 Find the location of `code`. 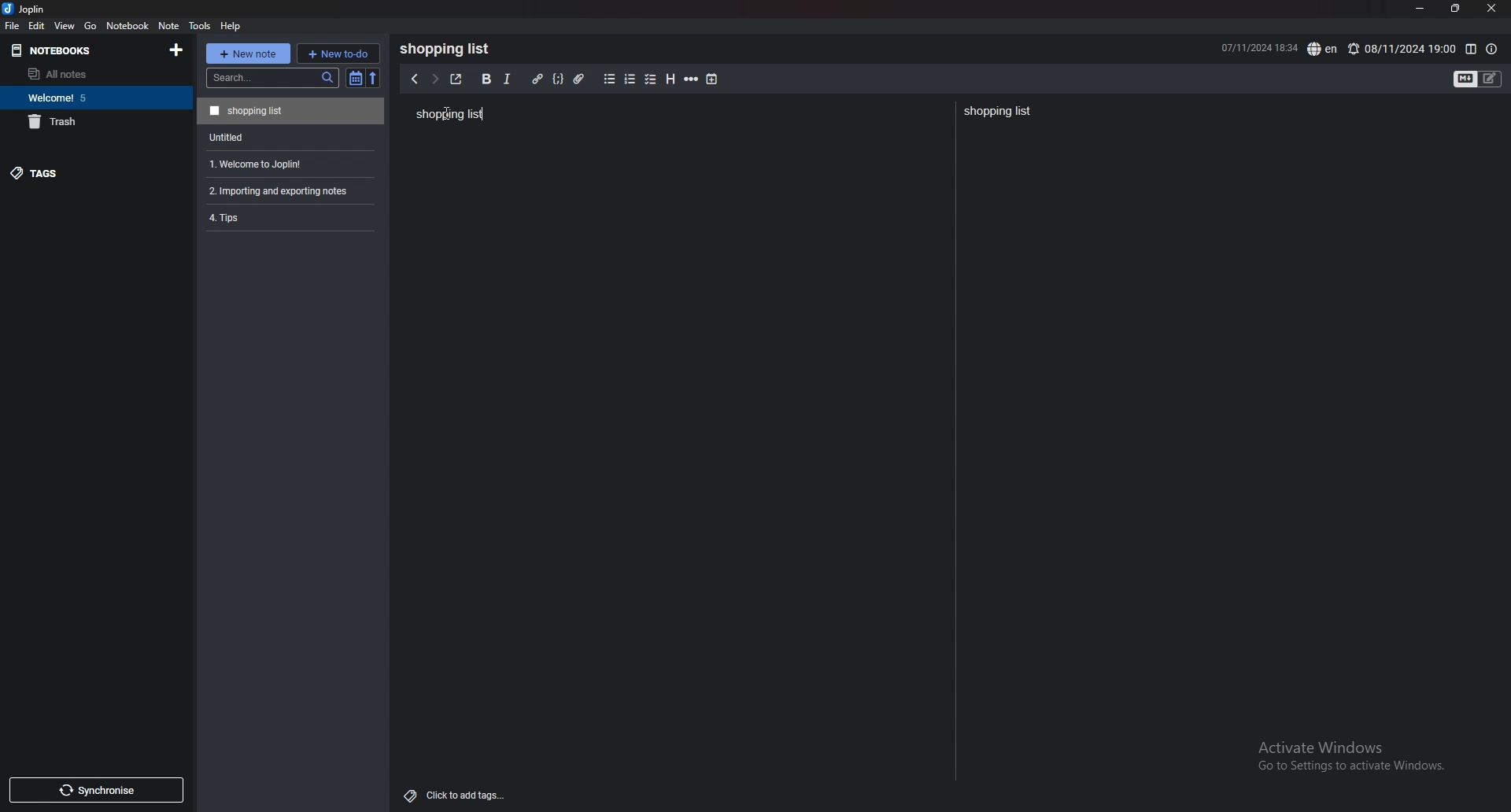

code is located at coordinates (558, 79).